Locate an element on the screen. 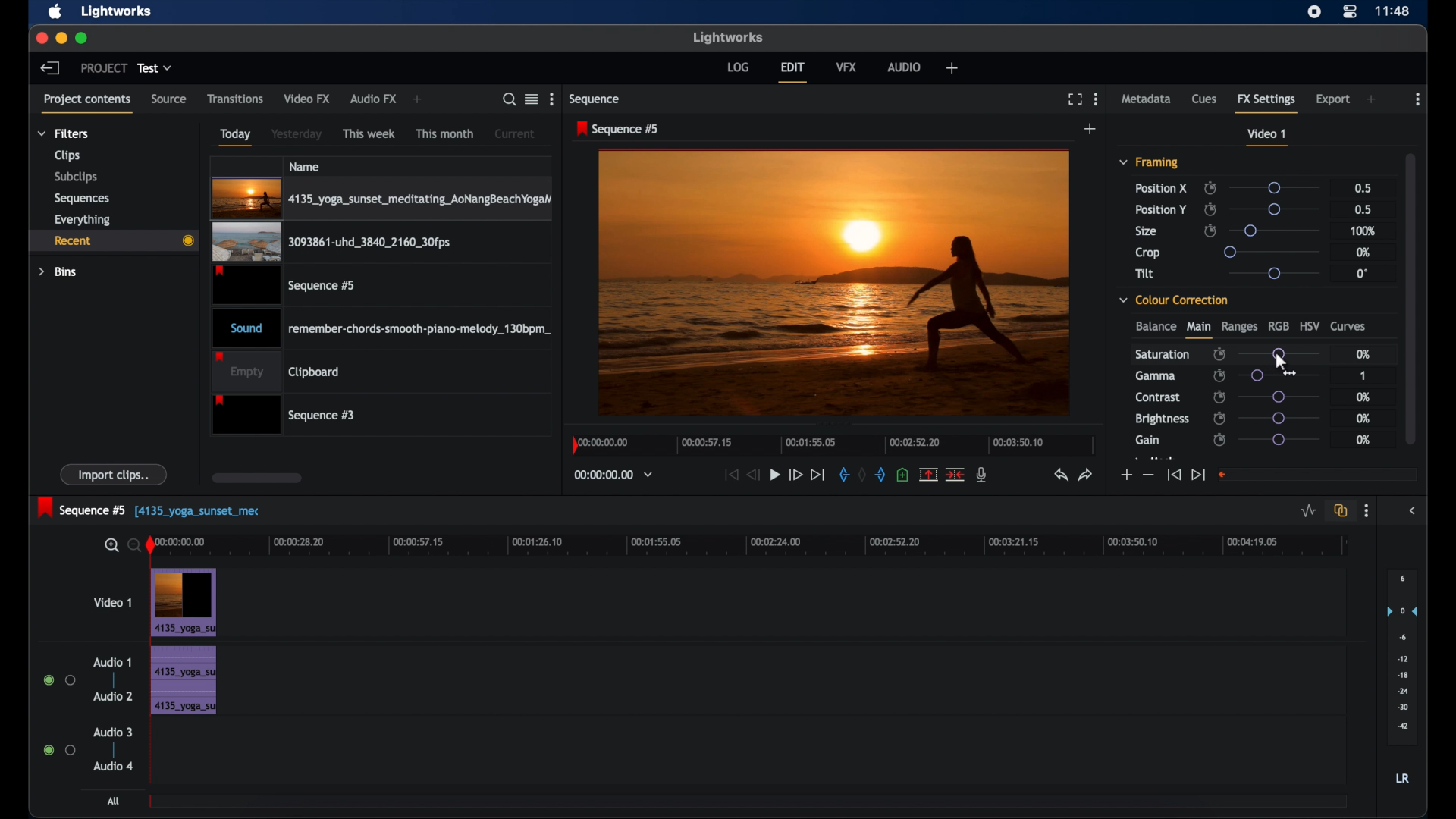 The height and width of the screenshot is (819, 1456). yesterday is located at coordinates (297, 134).